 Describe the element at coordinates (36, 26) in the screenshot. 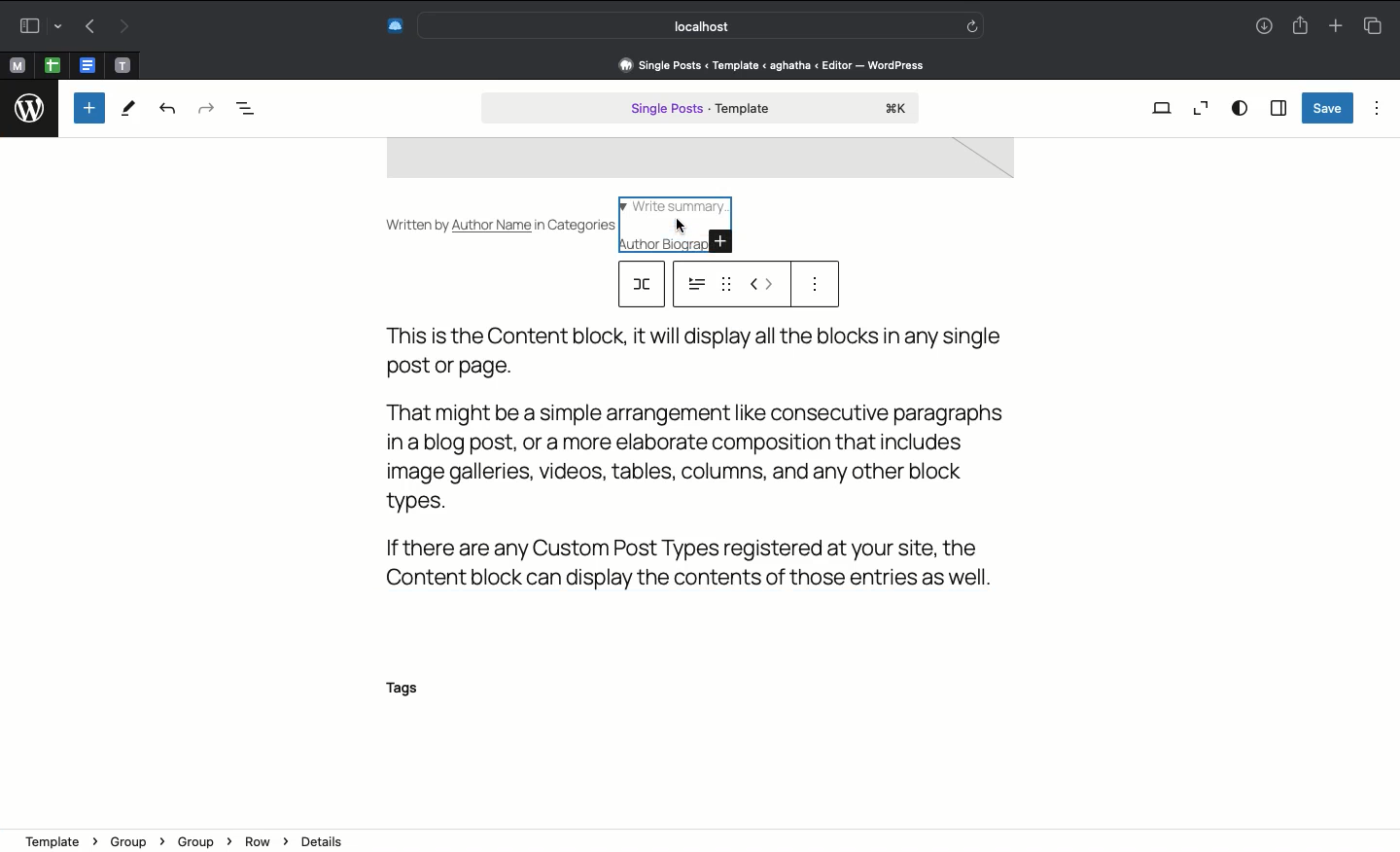

I see `Sidebar` at that location.